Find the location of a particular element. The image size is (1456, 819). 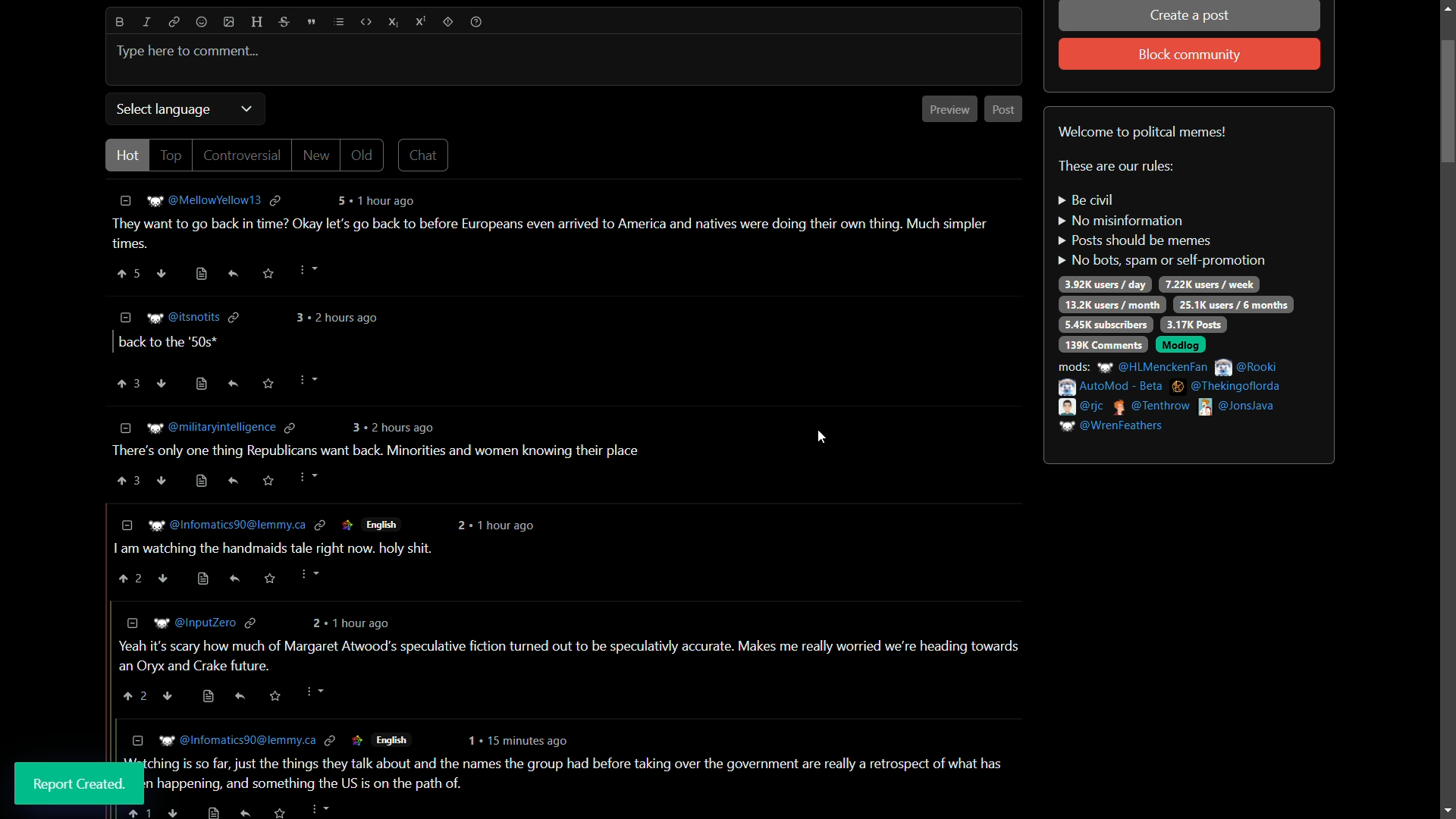

link is located at coordinates (172, 22).